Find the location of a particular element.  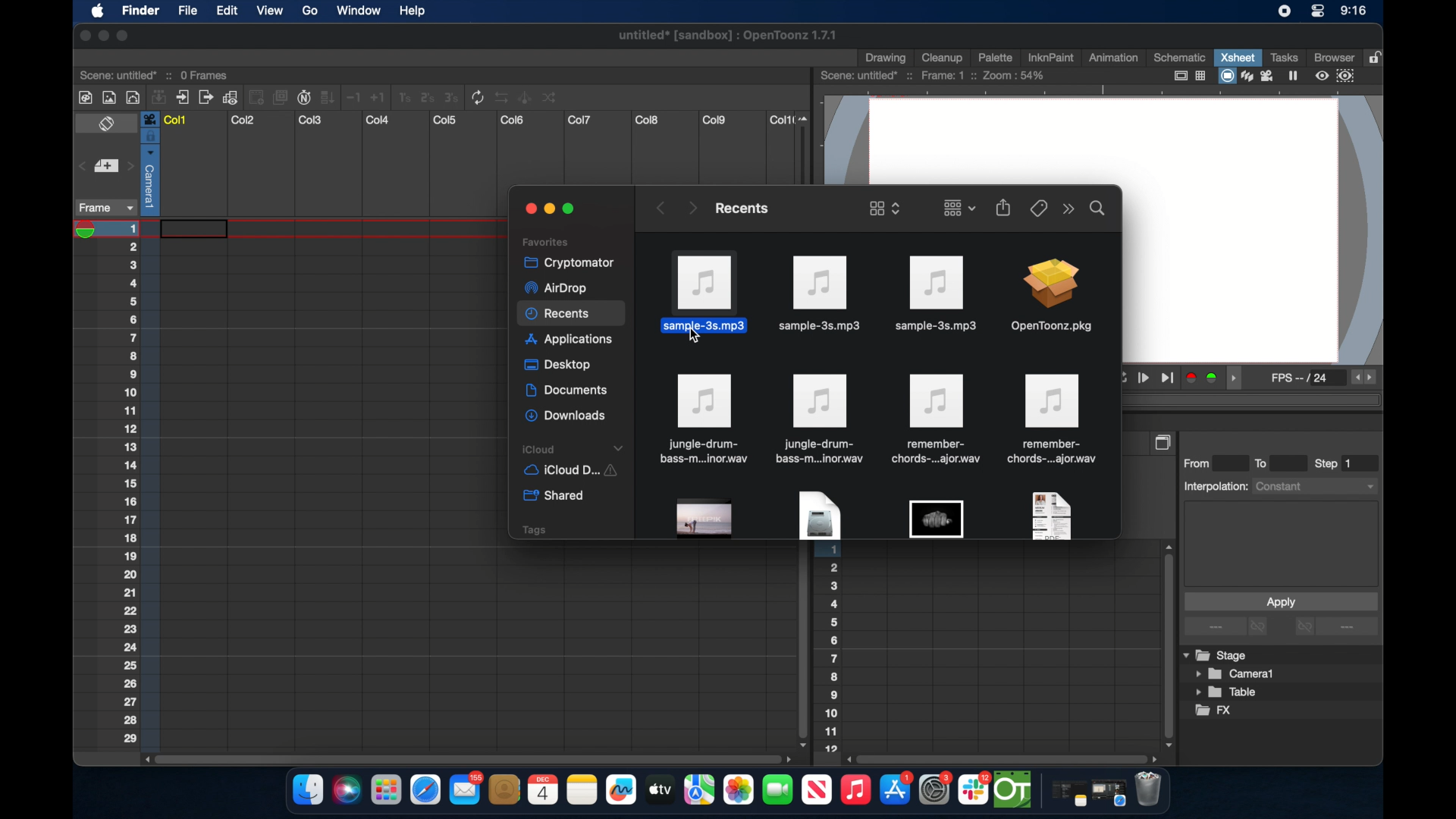

appstore is located at coordinates (896, 790).